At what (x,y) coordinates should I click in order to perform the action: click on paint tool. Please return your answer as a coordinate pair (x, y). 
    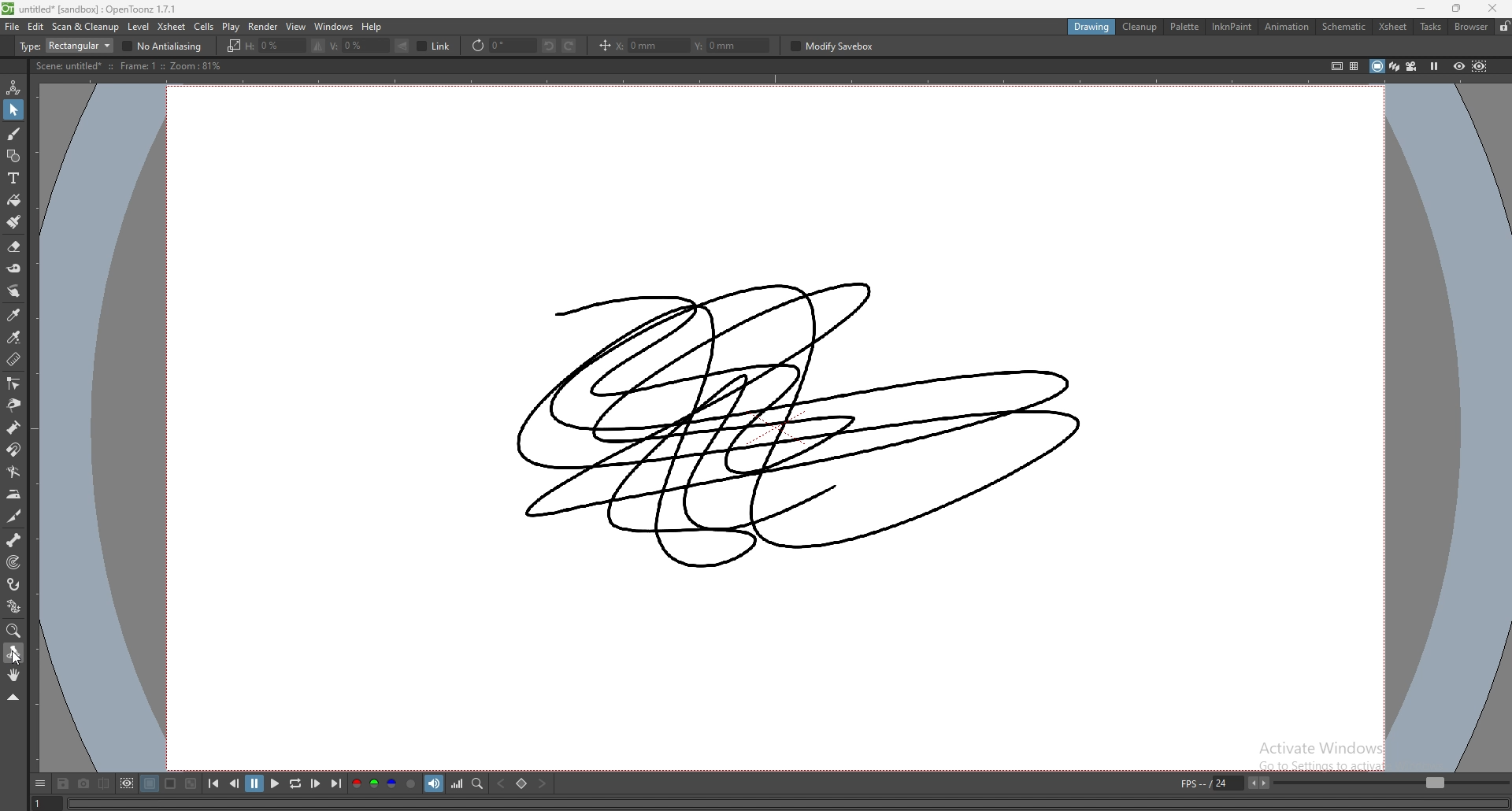
    Looking at the image, I should click on (14, 200).